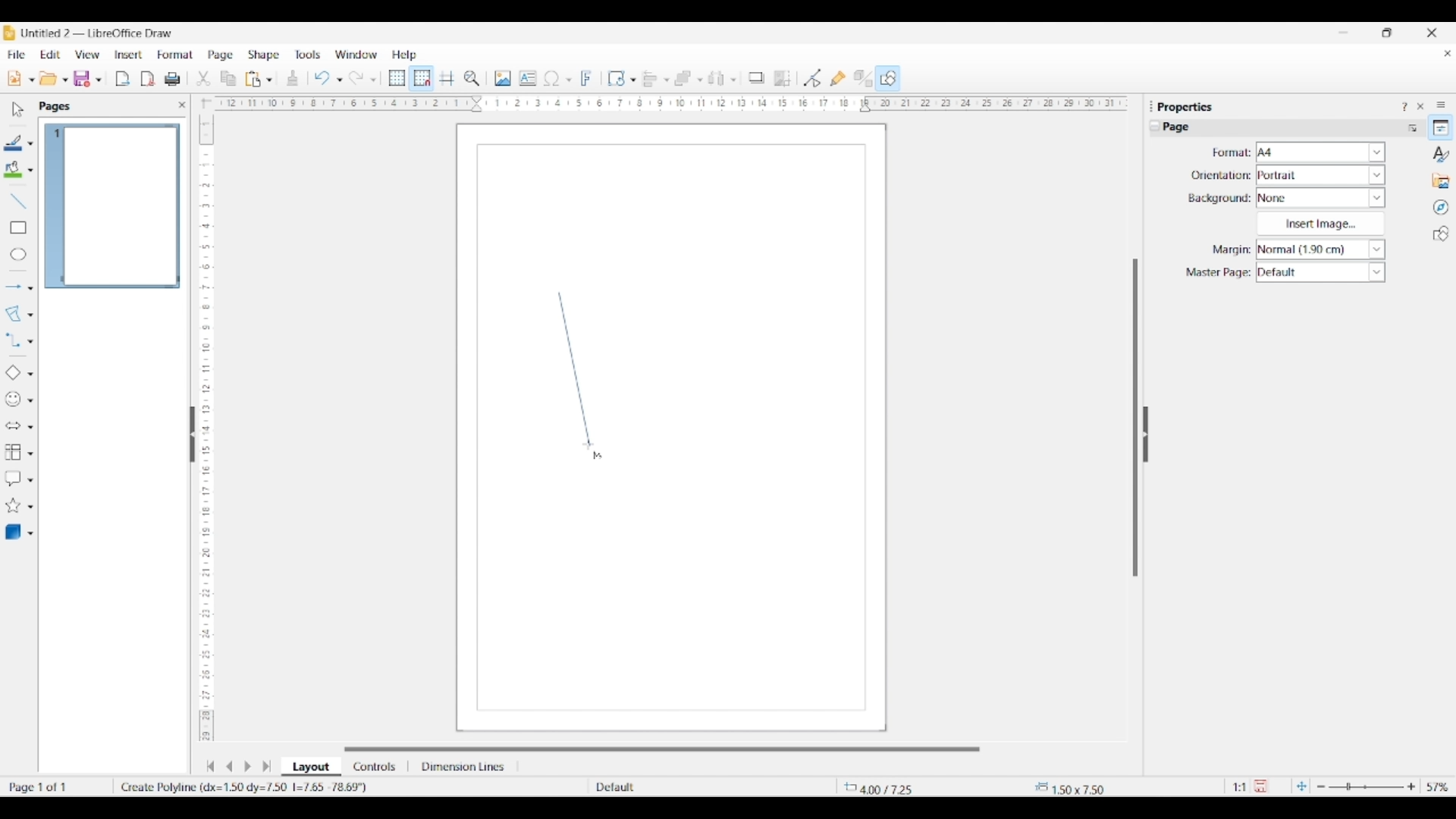  What do you see at coordinates (176, 55) in the screenshot?
I see `Format` at bounding box center [176, 55].